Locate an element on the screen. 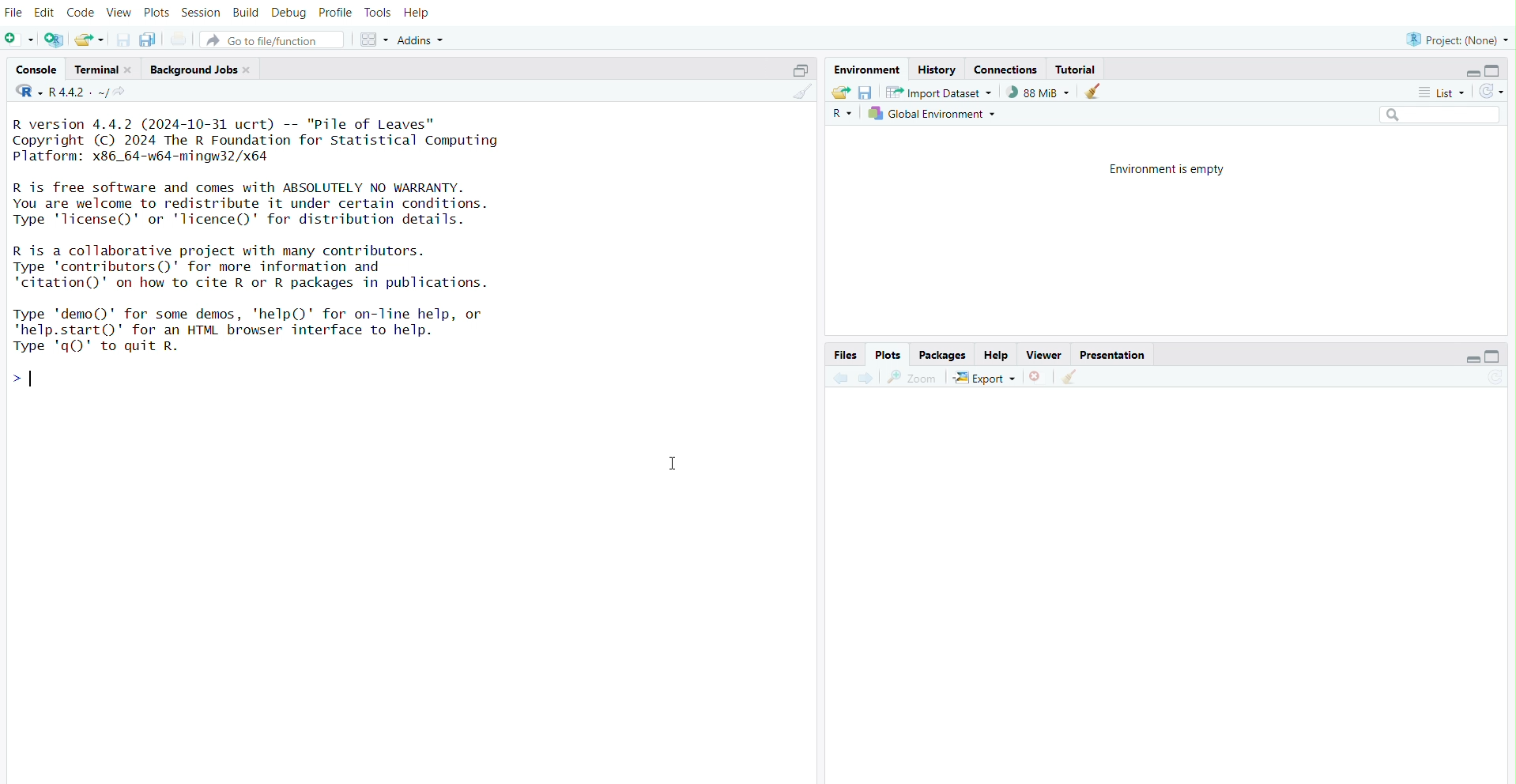  view the current working diirectory is located at coordinates (124, 93).